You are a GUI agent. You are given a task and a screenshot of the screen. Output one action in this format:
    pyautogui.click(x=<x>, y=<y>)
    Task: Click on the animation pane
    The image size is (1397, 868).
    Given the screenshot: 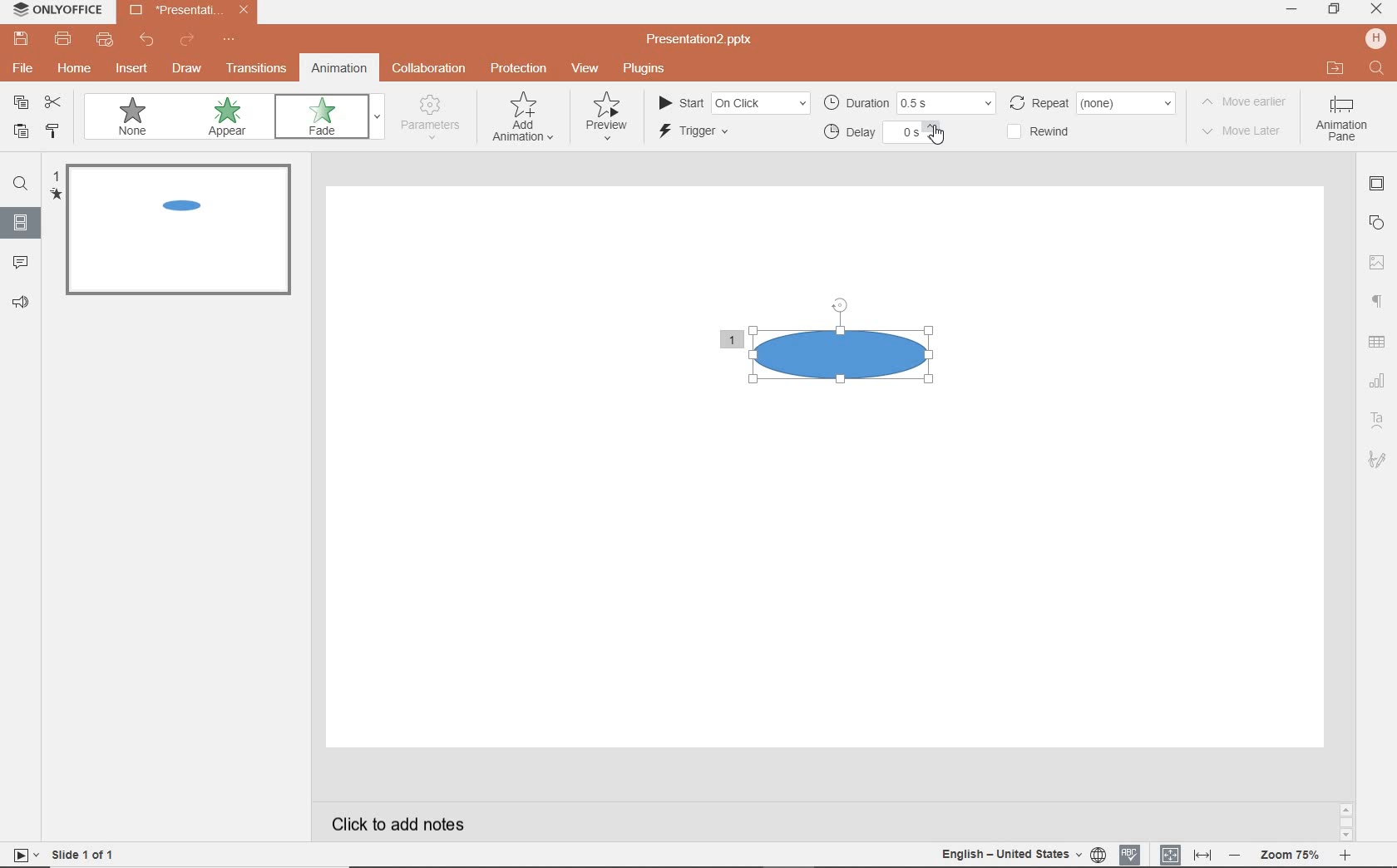 What is the action you would take?
    pyautogui.click(x=1343, y=121)
    